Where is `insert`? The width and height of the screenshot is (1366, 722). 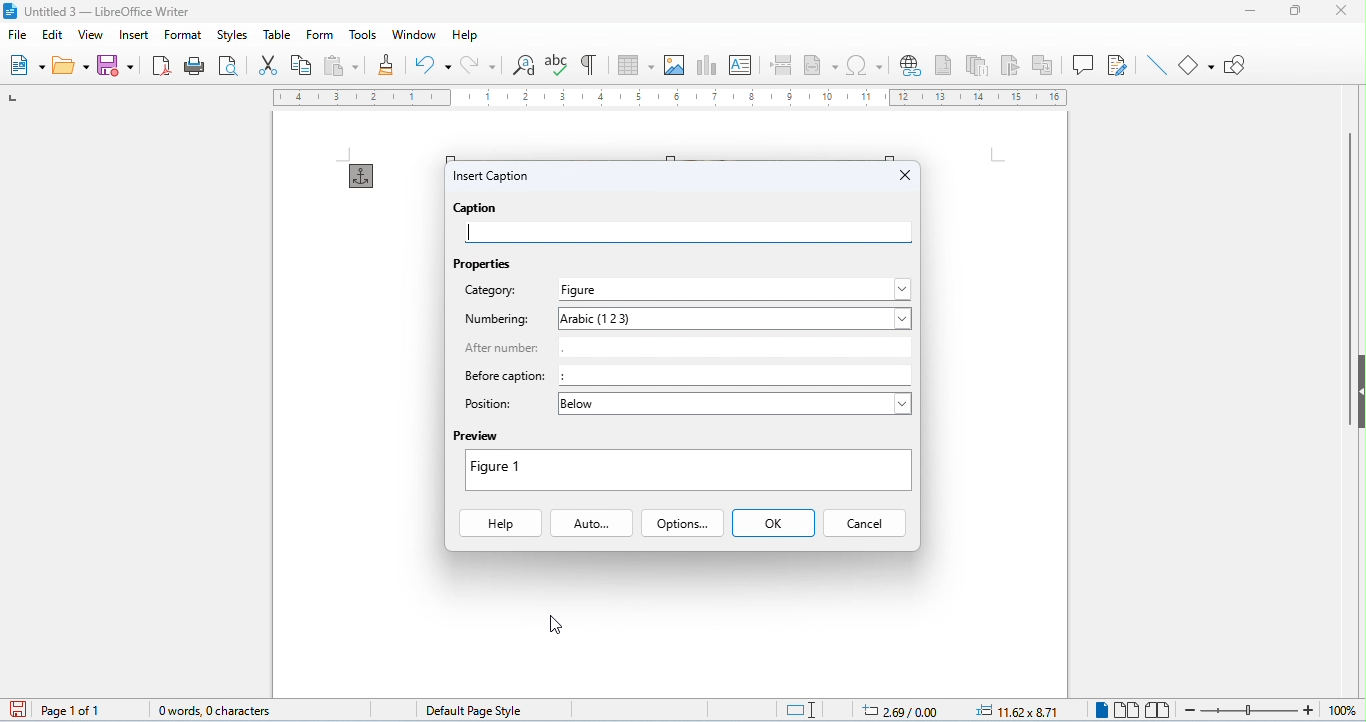
insert is located at coordinates (133, 34).